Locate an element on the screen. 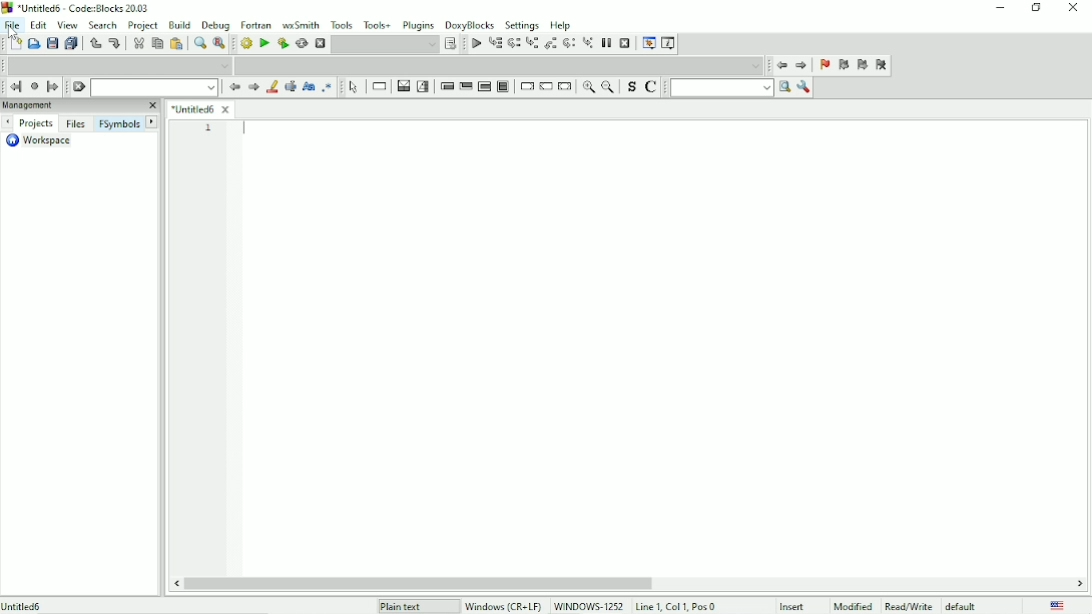  Break debugger is located at coordinates (605, 43).